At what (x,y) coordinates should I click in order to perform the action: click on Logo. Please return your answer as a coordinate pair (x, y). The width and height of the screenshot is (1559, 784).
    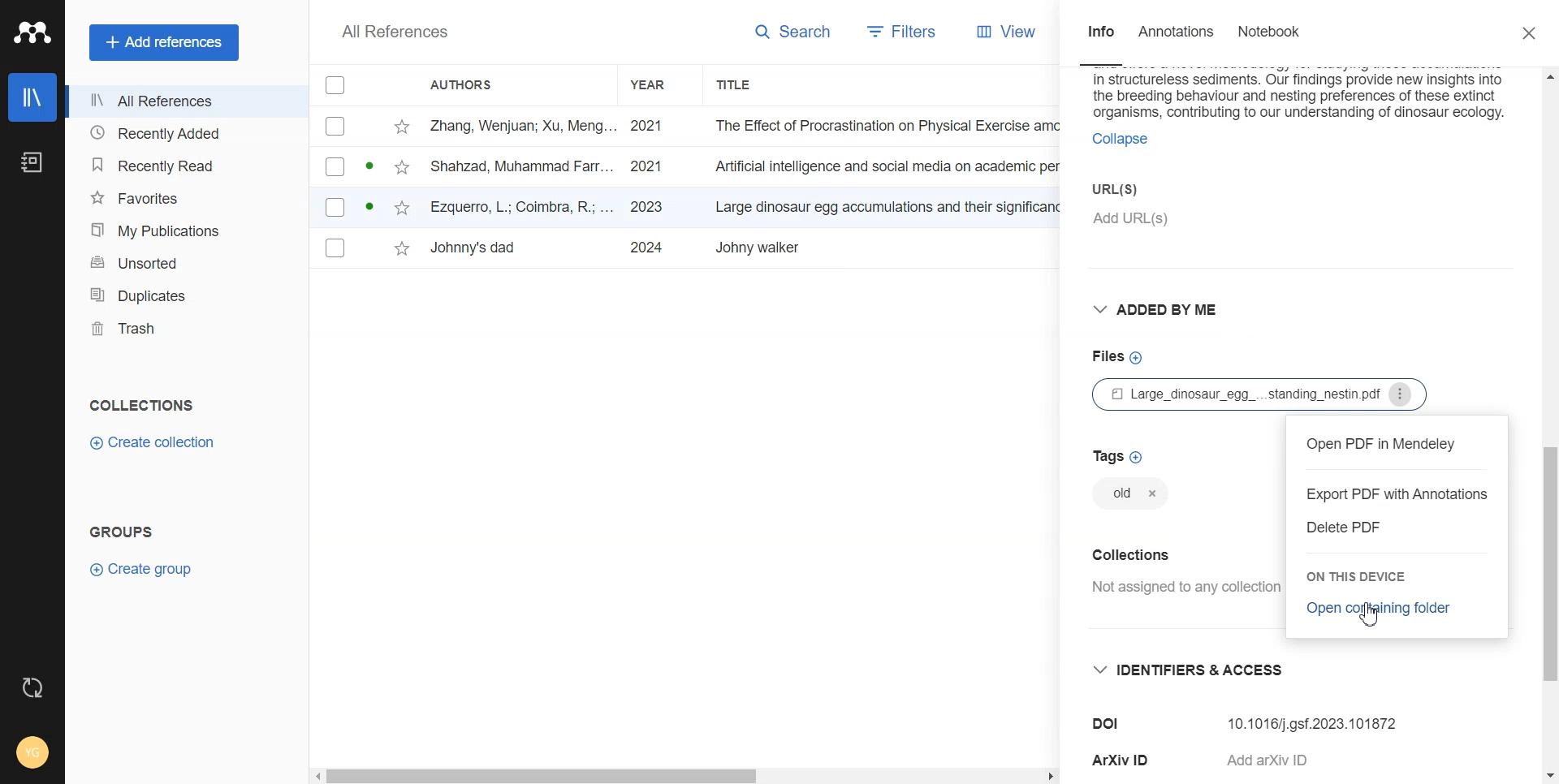
    Looking at the image, I should click on (32, 32).